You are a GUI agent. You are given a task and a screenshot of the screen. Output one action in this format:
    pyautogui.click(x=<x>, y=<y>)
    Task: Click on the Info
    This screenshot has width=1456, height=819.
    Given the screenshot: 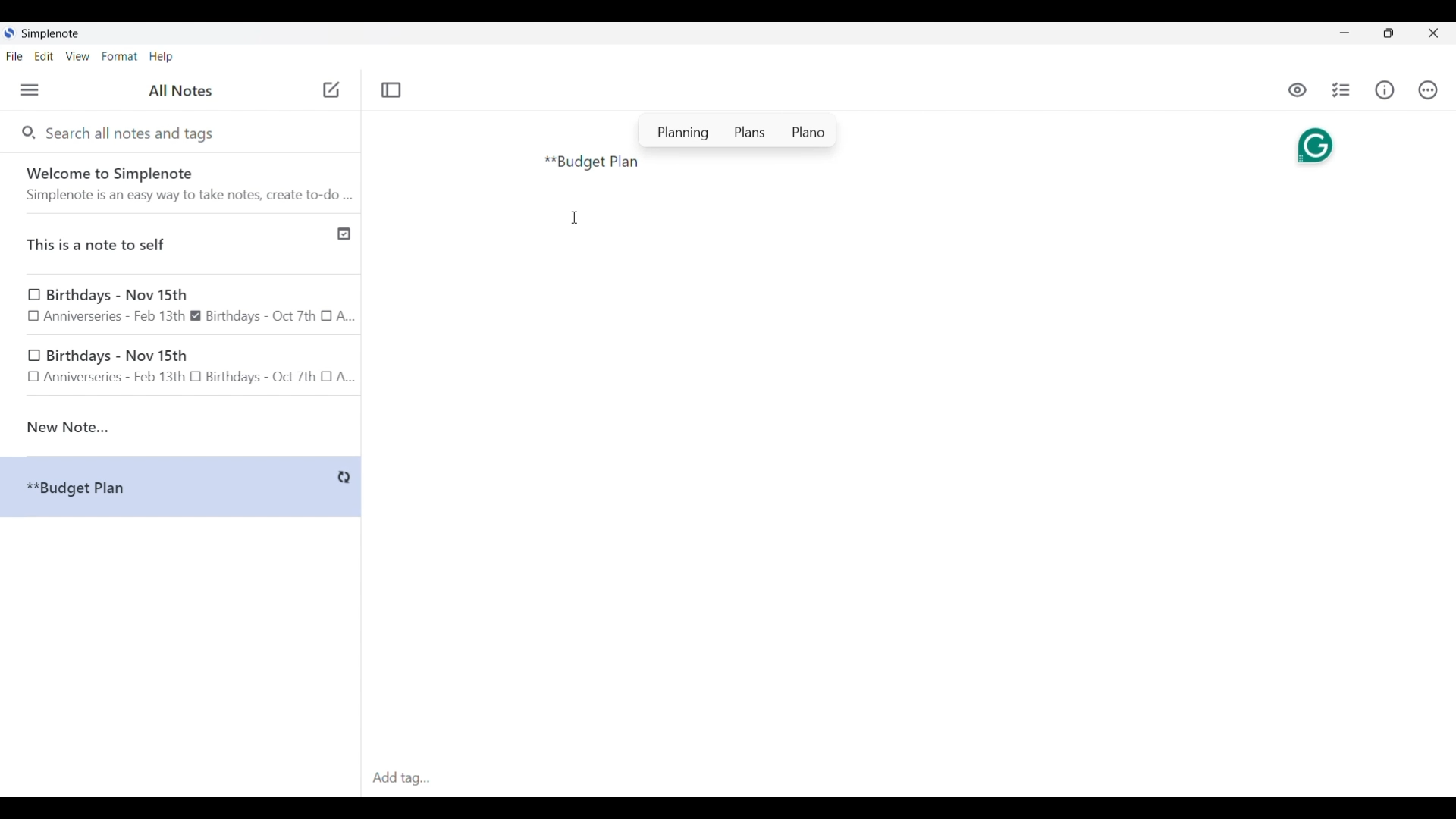 What is the action you would take?
    pyautogui.click(x=1385, y=89)
    